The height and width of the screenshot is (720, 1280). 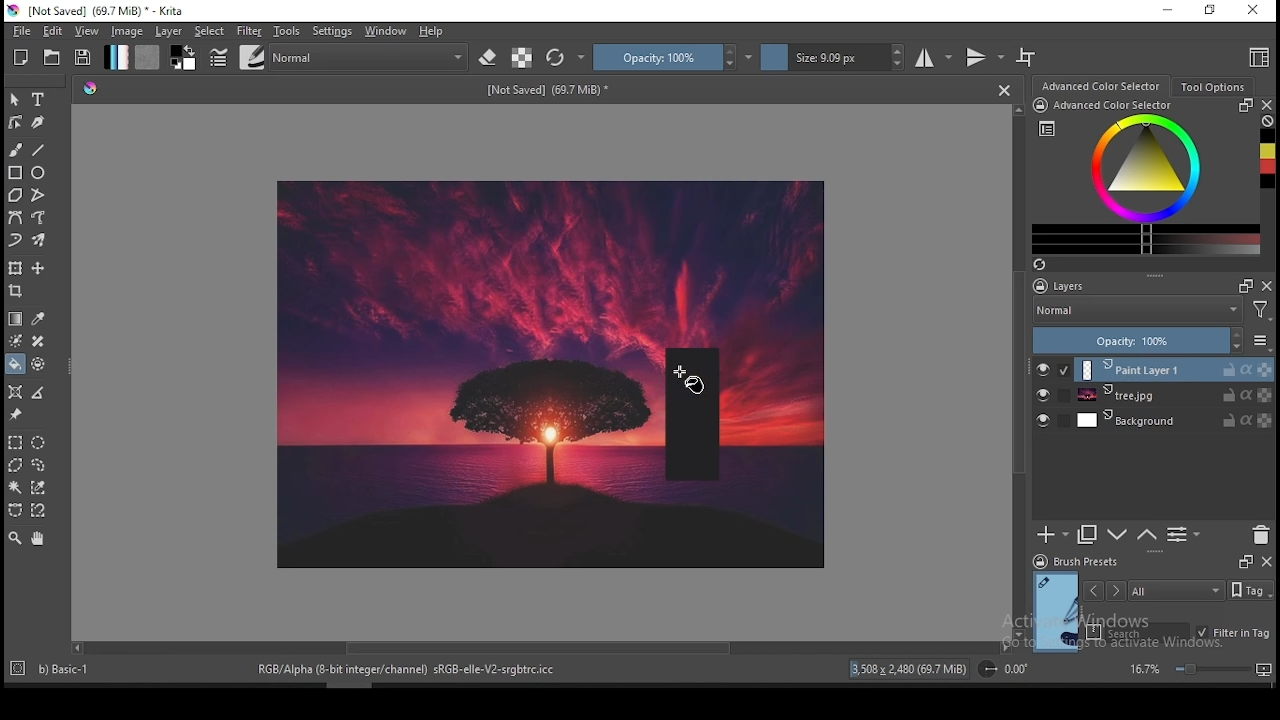 I want to click on layer visibility on/off, so click(x=1043, y=419).